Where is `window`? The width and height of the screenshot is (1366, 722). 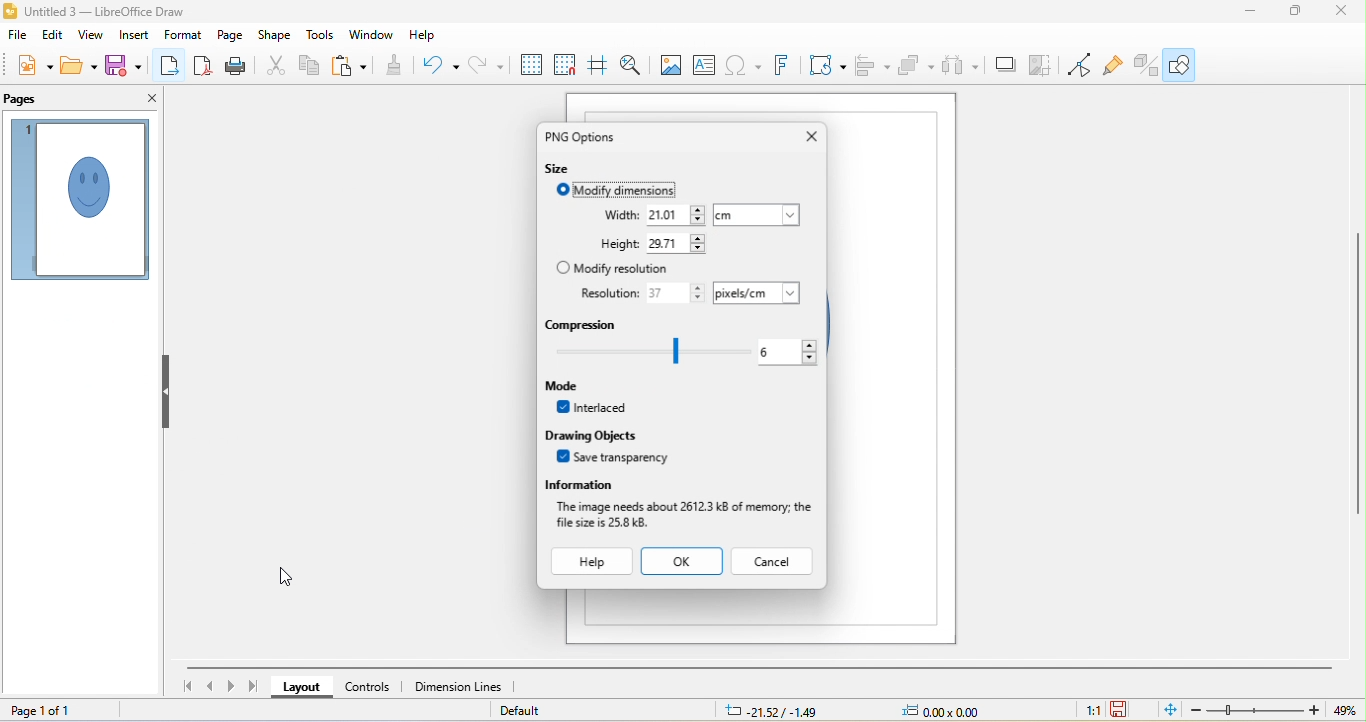
window is located at coordinates (373, 35).